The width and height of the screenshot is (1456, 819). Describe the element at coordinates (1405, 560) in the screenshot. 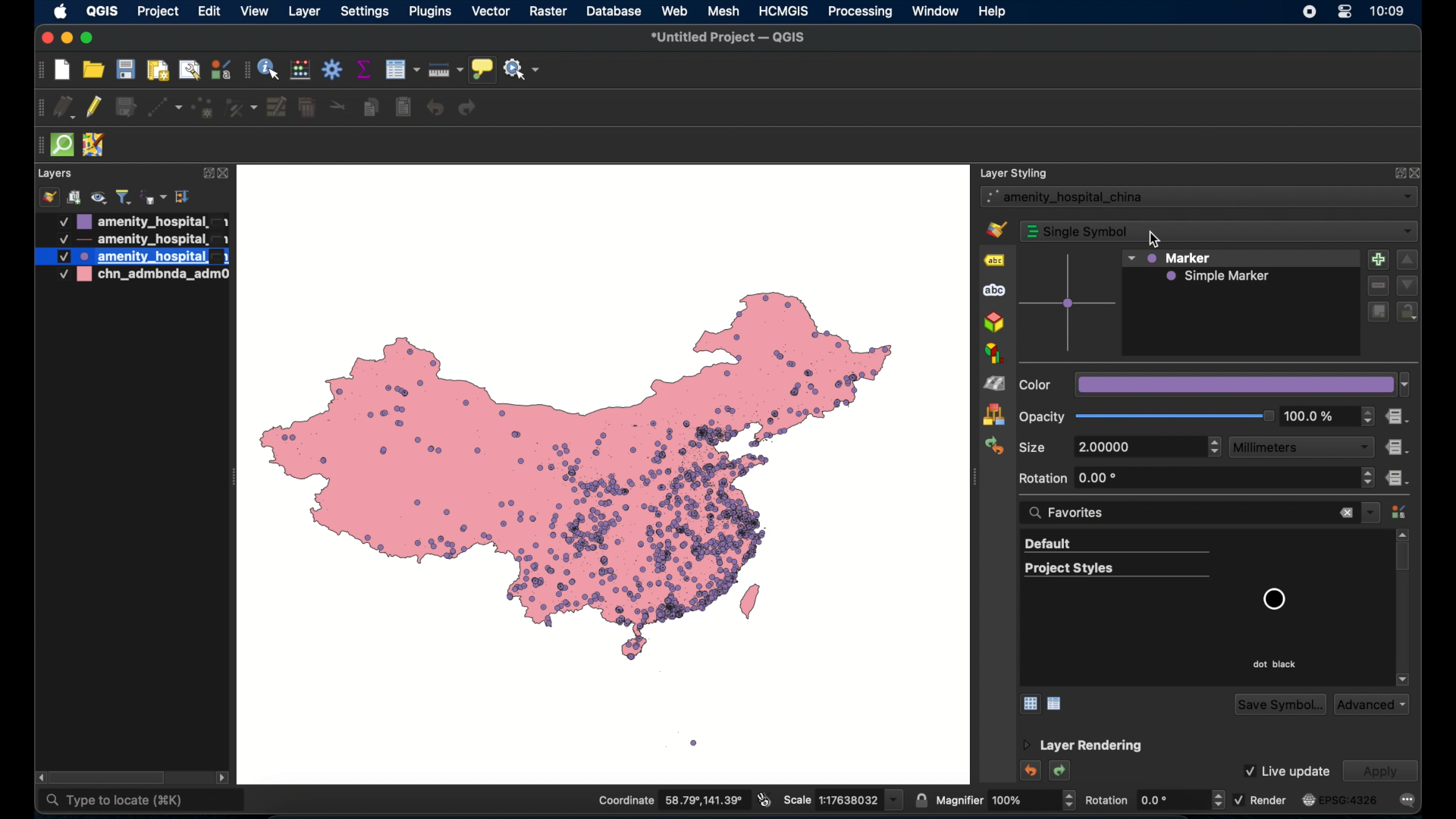

I see `scroll box` at that location.